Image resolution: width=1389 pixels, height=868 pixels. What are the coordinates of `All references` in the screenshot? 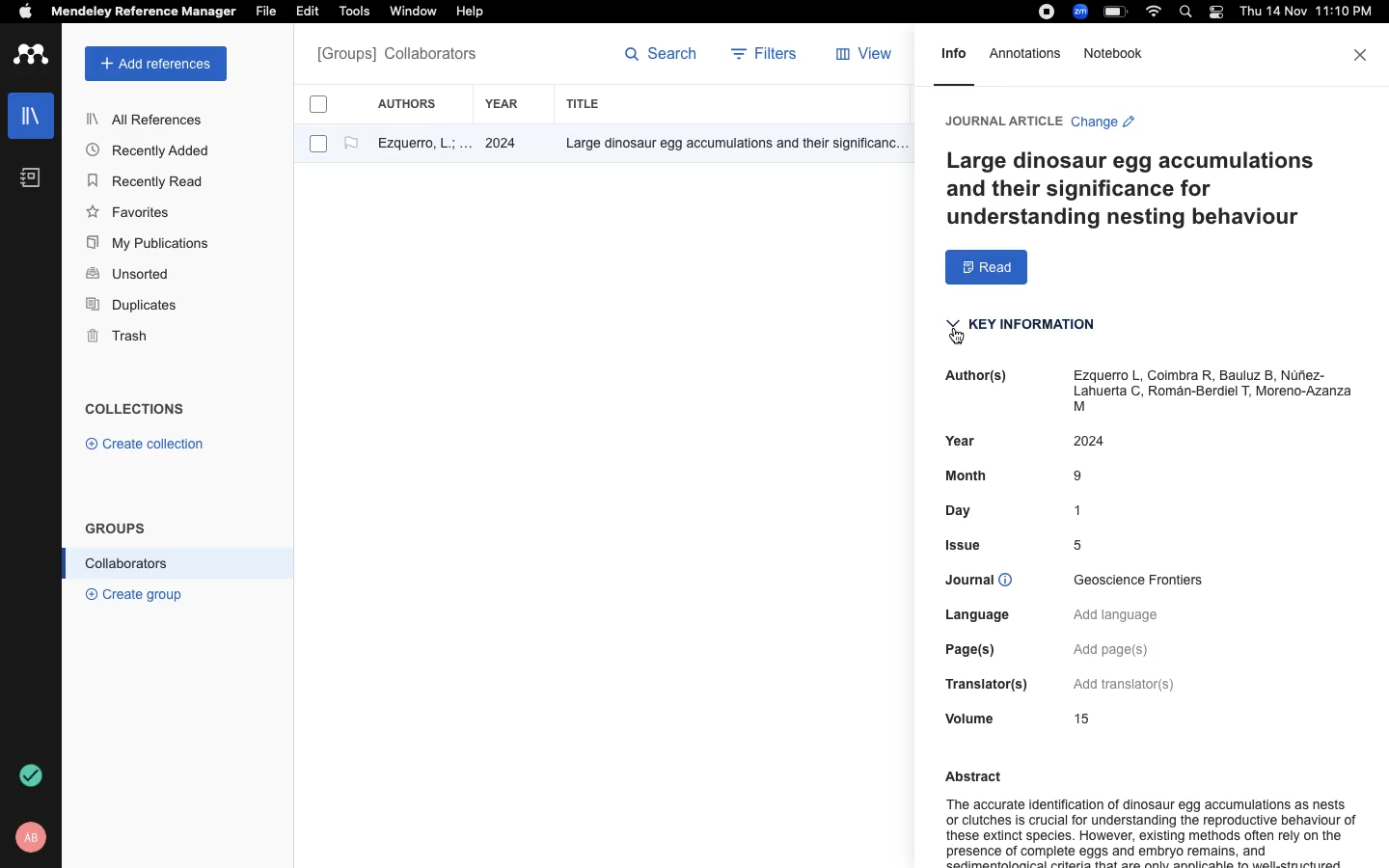 It's located at (396, 56).